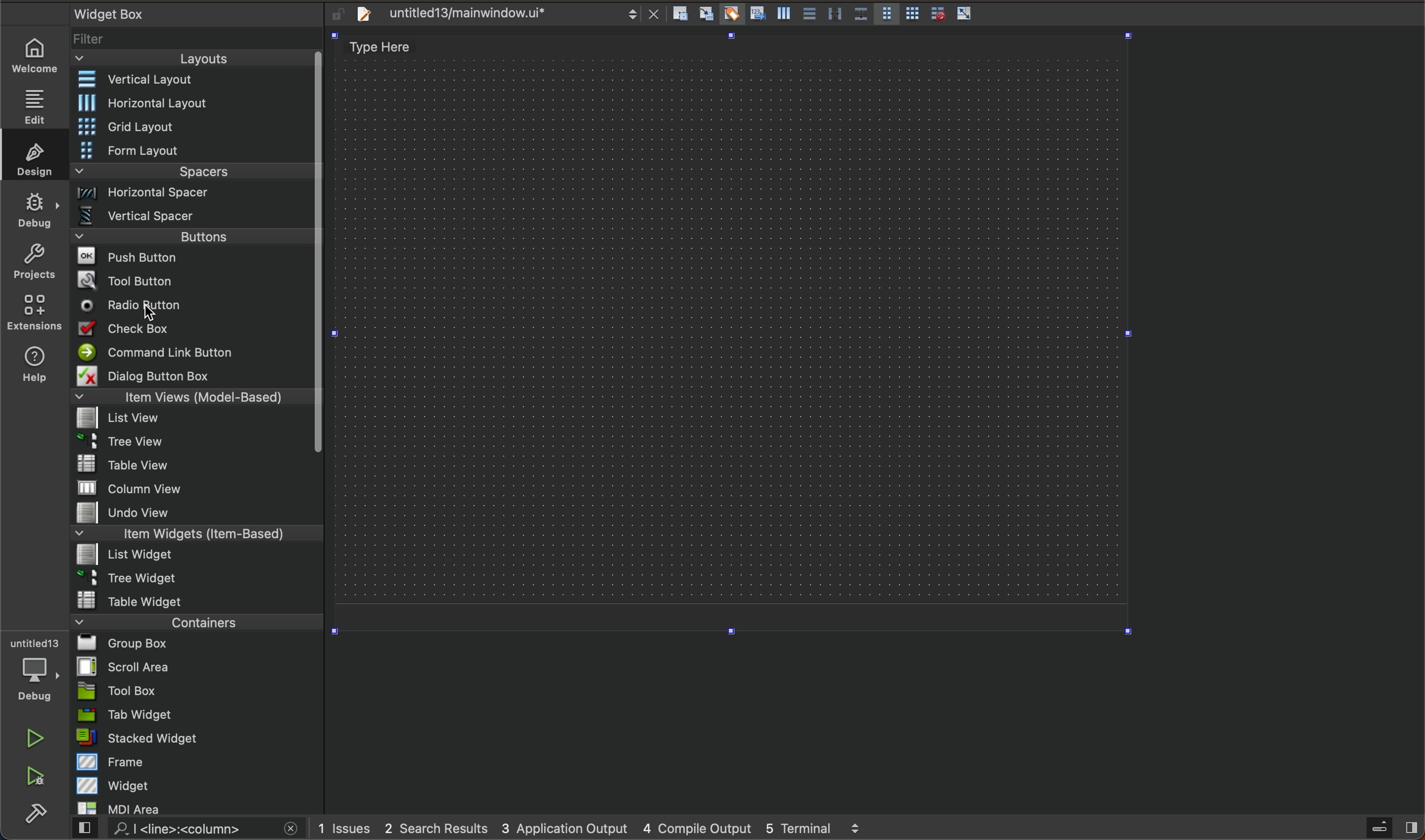 Image resolution: width=1425 pixels, height=840 pixels. What do you see at coordinates (1381, 828) in the screenshot?
I see `sidebar ` at bounding box center [1381, 828].